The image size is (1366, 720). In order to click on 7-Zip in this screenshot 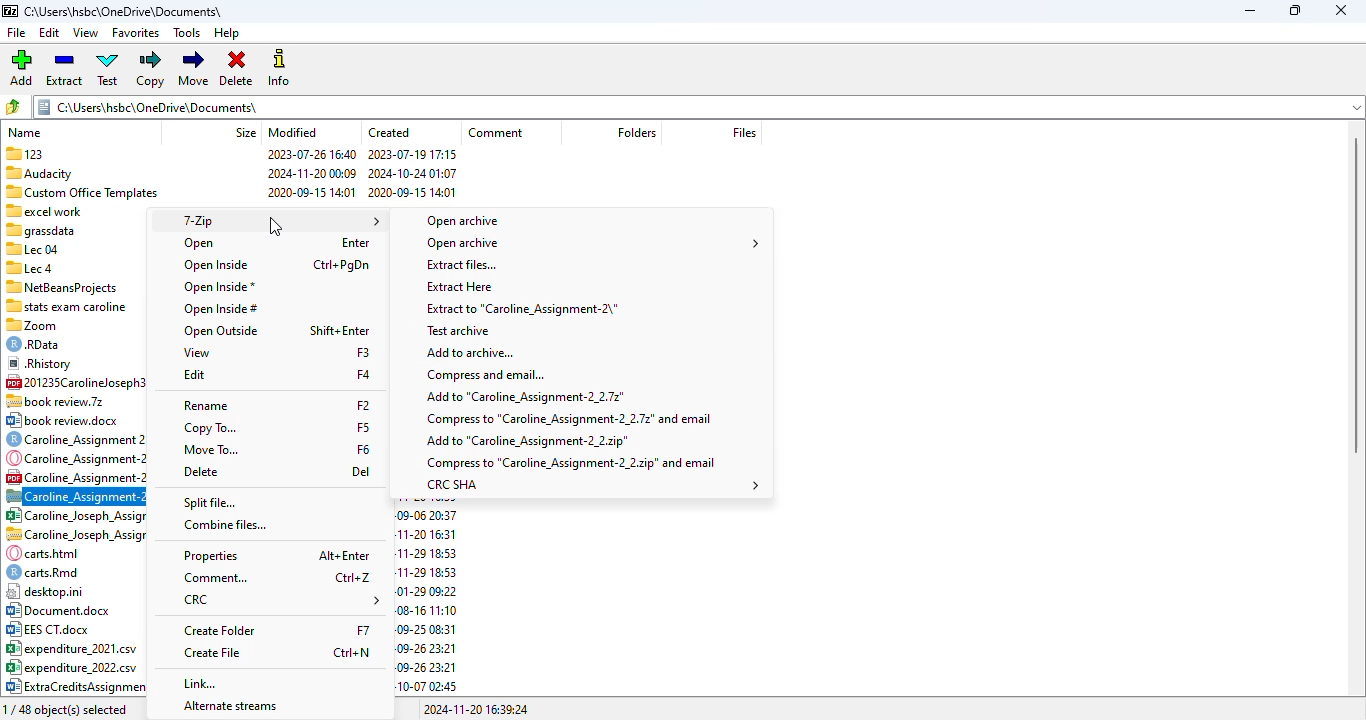, I will do `click(277, 221)`.